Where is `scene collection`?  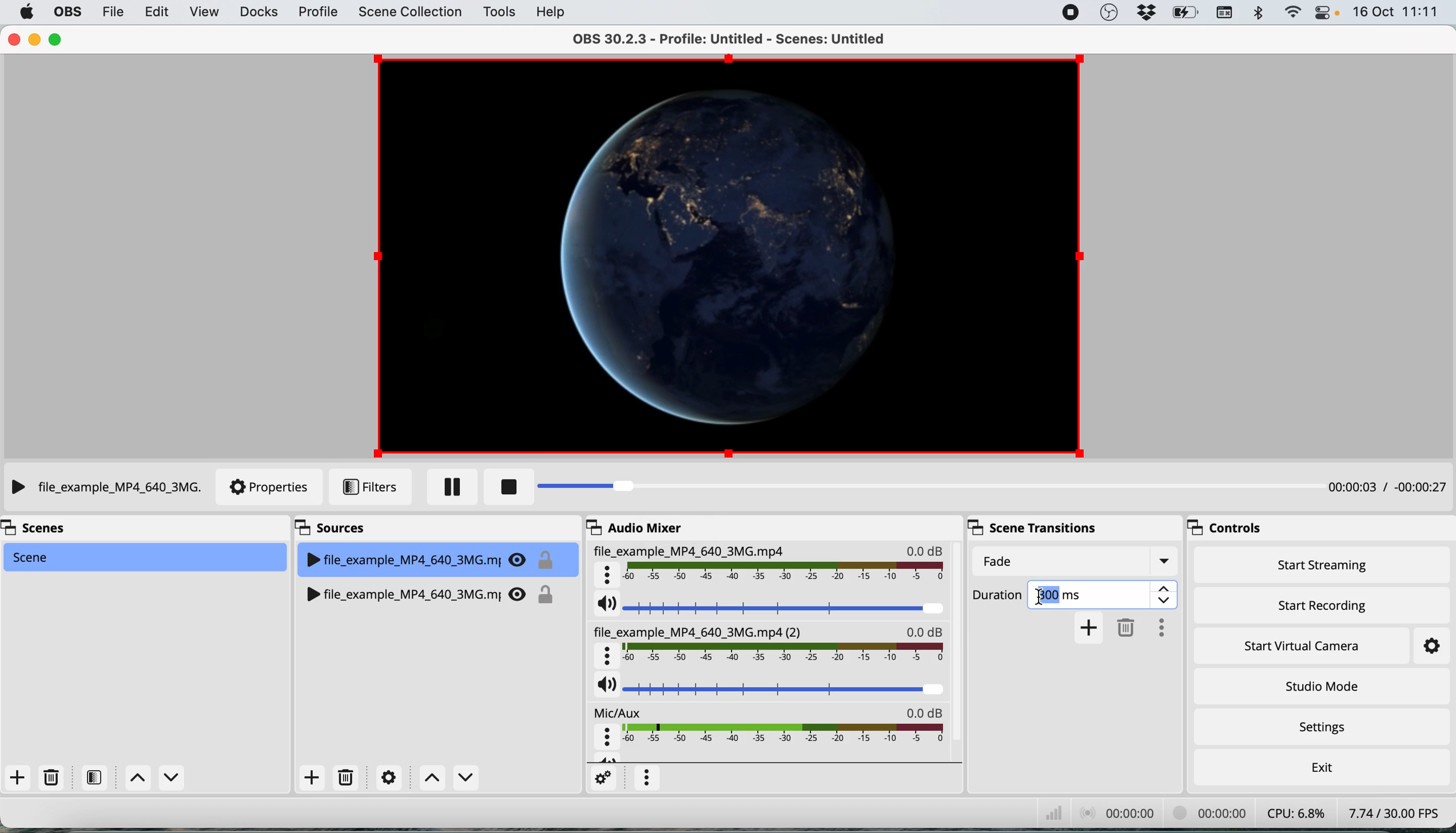 scene collection is located at coordinates (411, 13).